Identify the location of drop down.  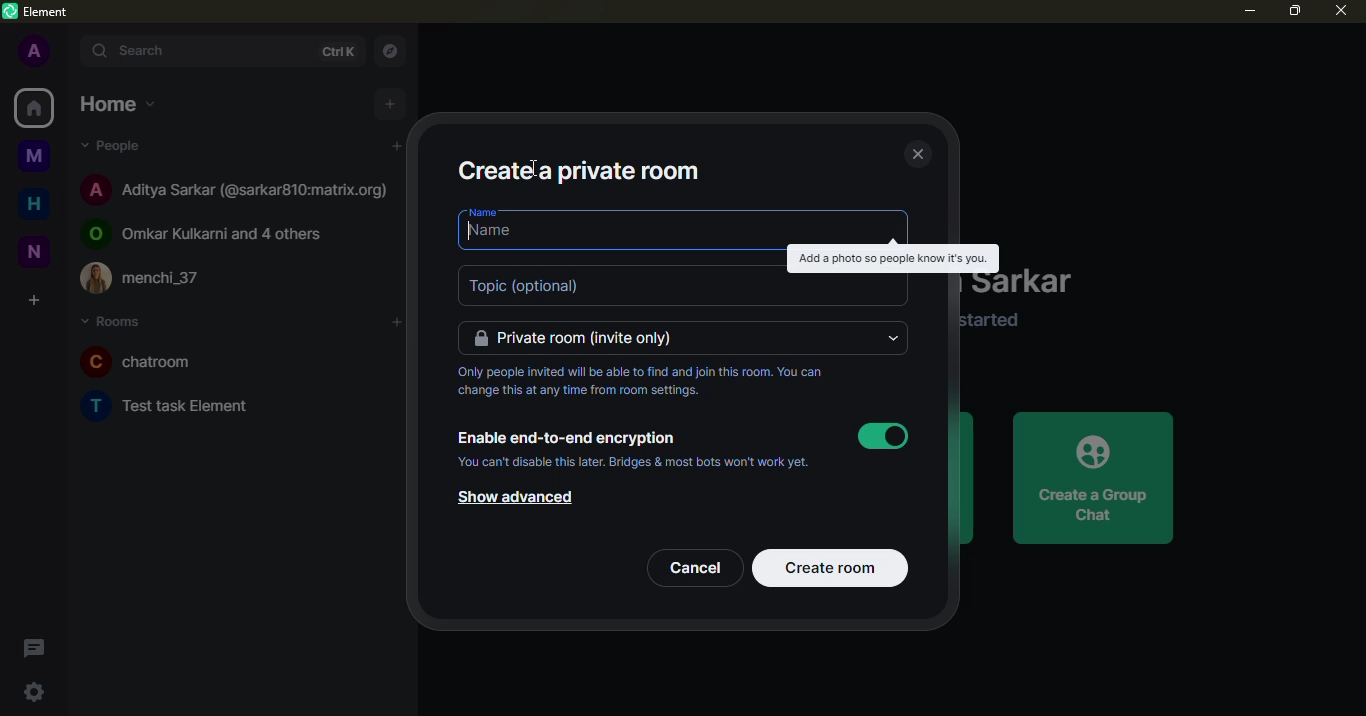
(890, 339).